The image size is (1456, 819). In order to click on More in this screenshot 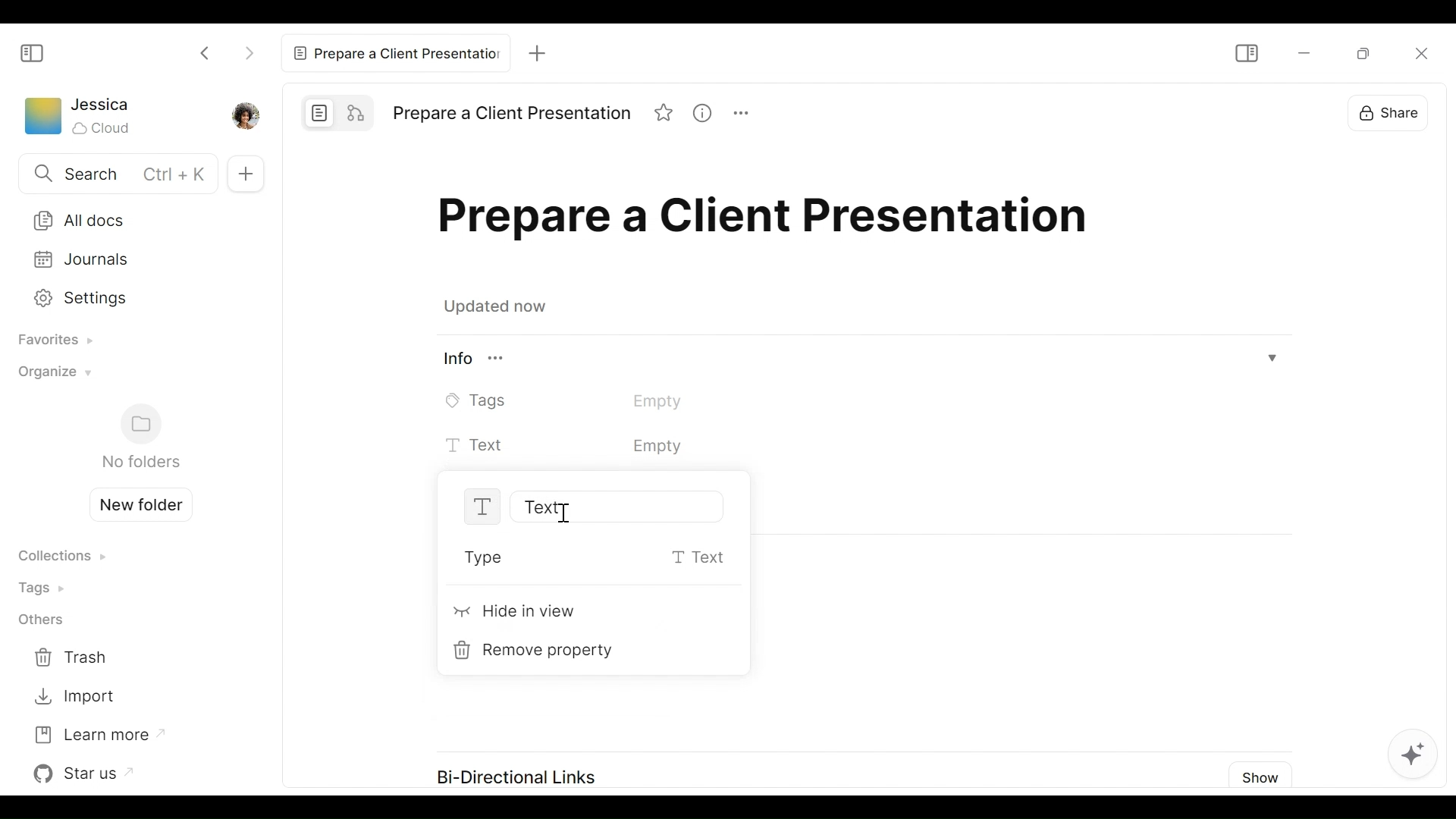, I will do `click(748, 115)`.